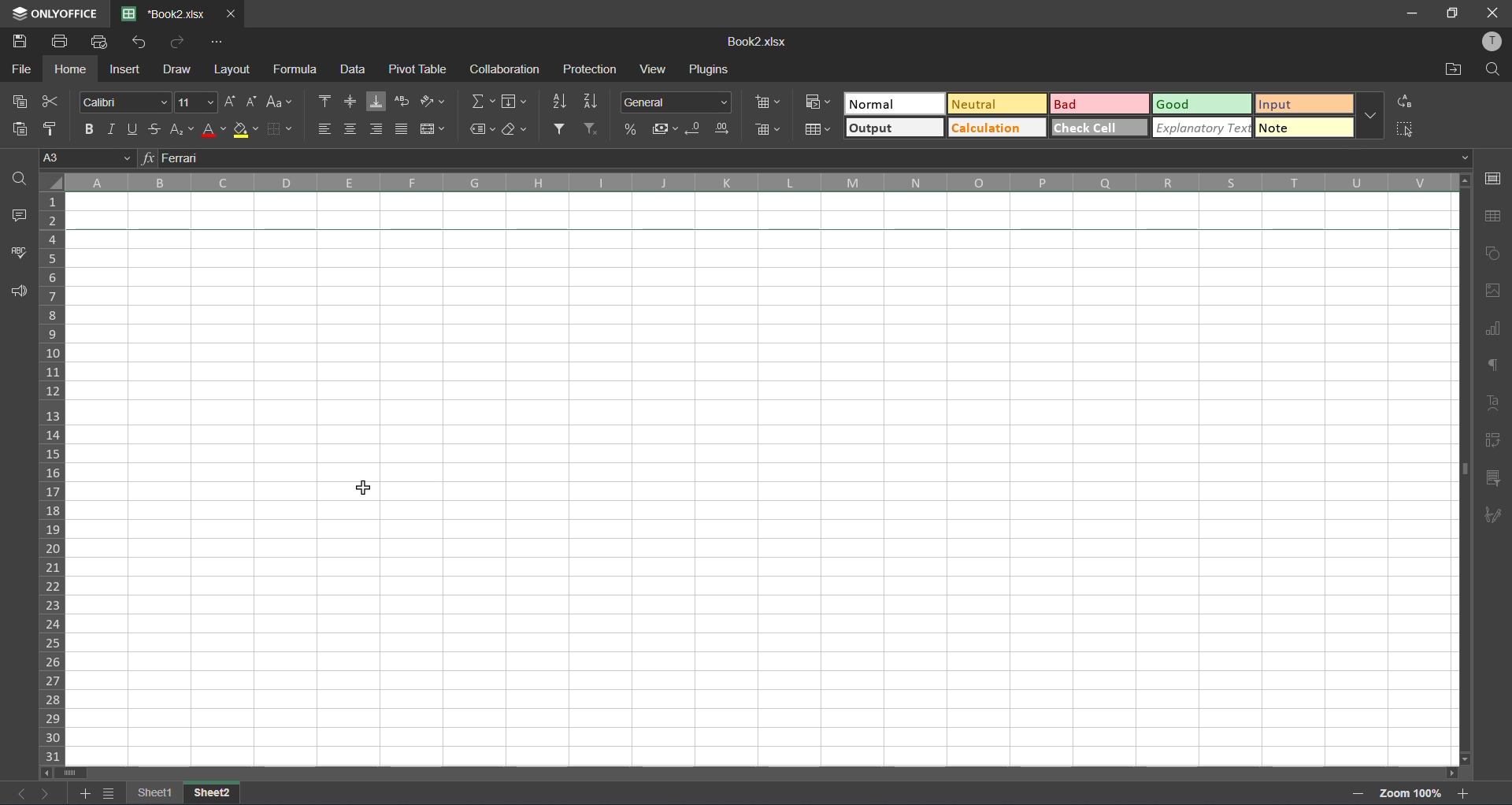  I want to click on pivot table, so click(422, 69).